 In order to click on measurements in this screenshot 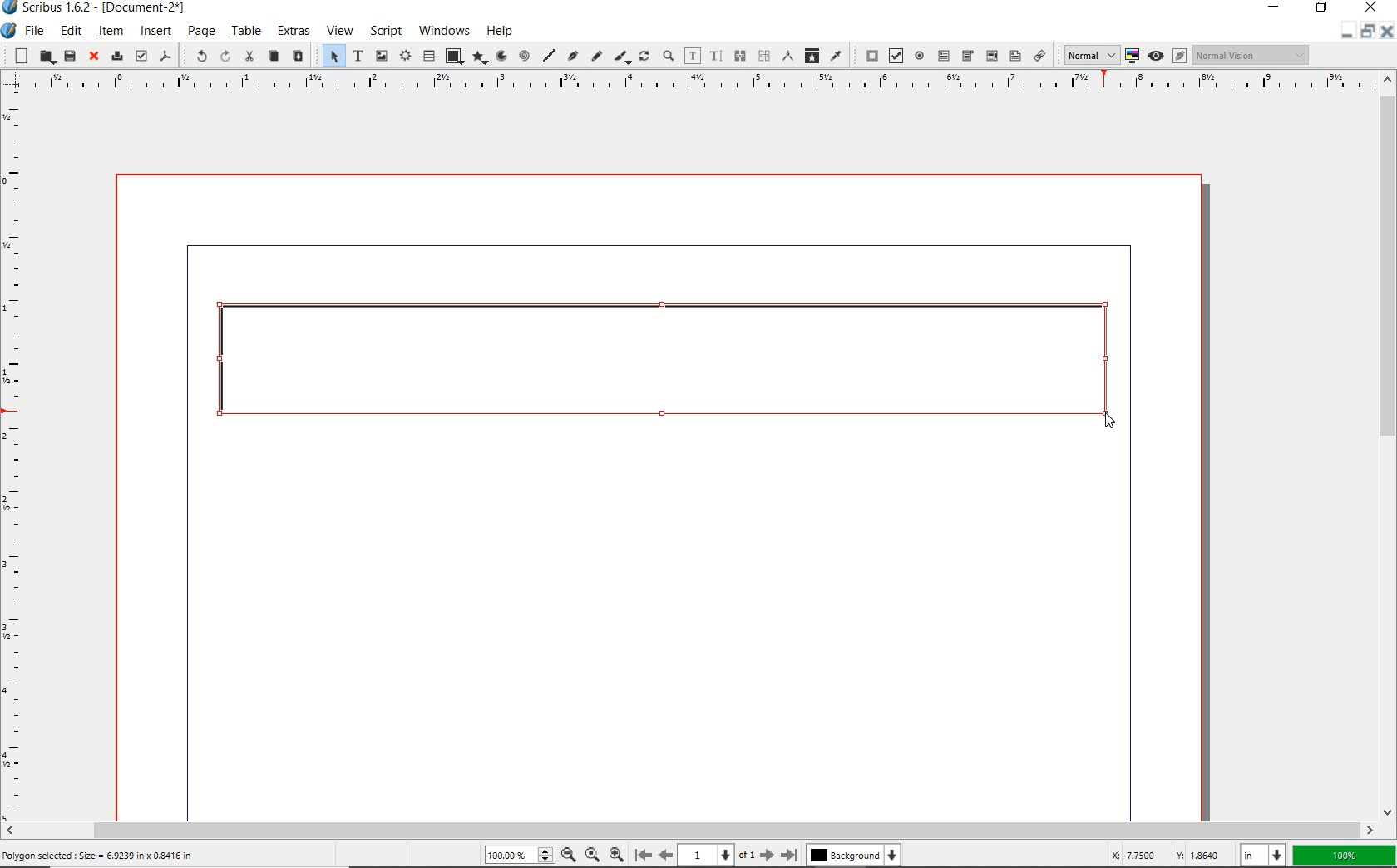, I will do `click(786, 57)`.